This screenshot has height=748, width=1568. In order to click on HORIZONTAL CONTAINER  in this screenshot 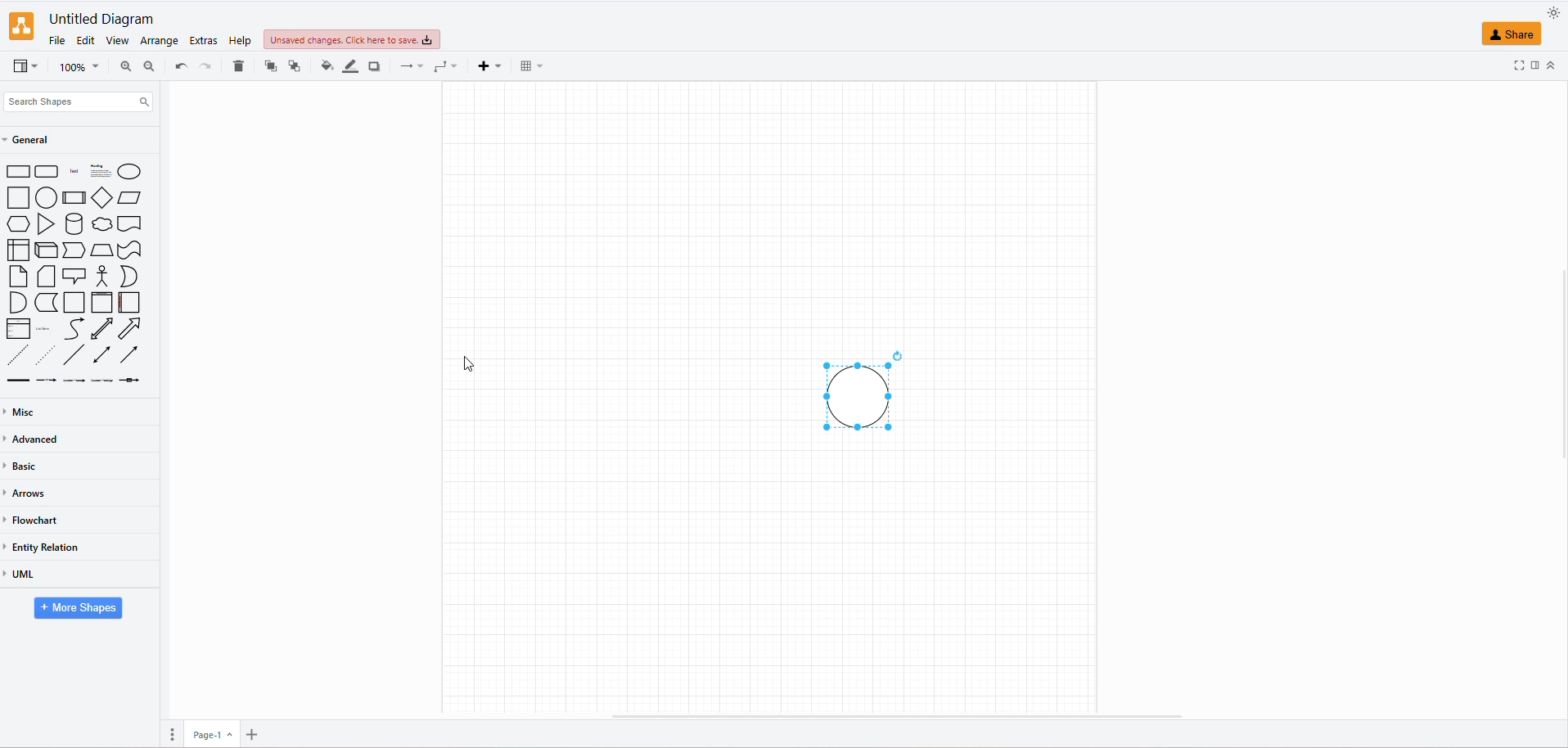, I will do `click(125, 303)`.